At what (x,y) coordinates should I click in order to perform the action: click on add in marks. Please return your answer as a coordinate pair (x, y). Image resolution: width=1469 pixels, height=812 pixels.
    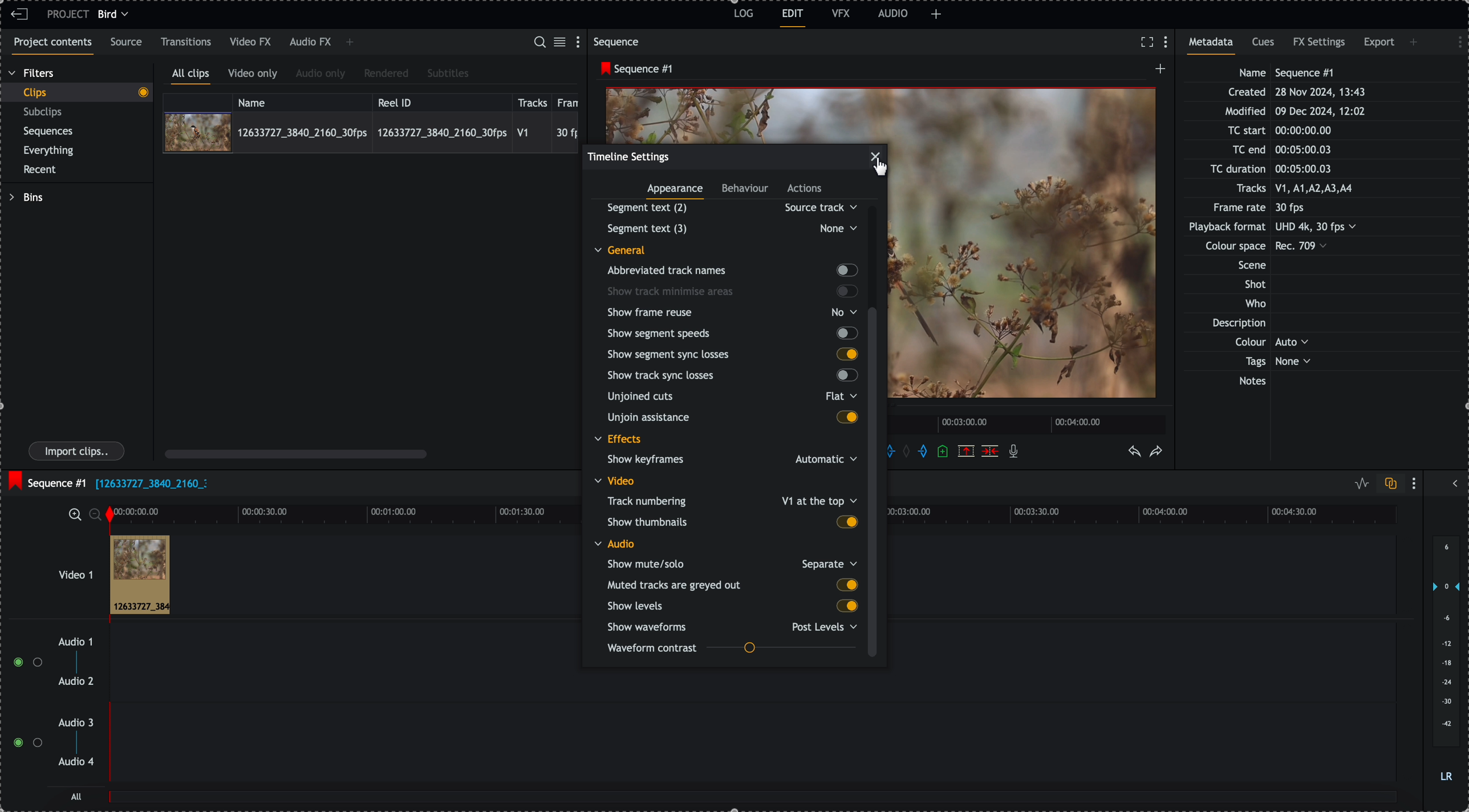
    Looking at the image, I should click on (899, 450).